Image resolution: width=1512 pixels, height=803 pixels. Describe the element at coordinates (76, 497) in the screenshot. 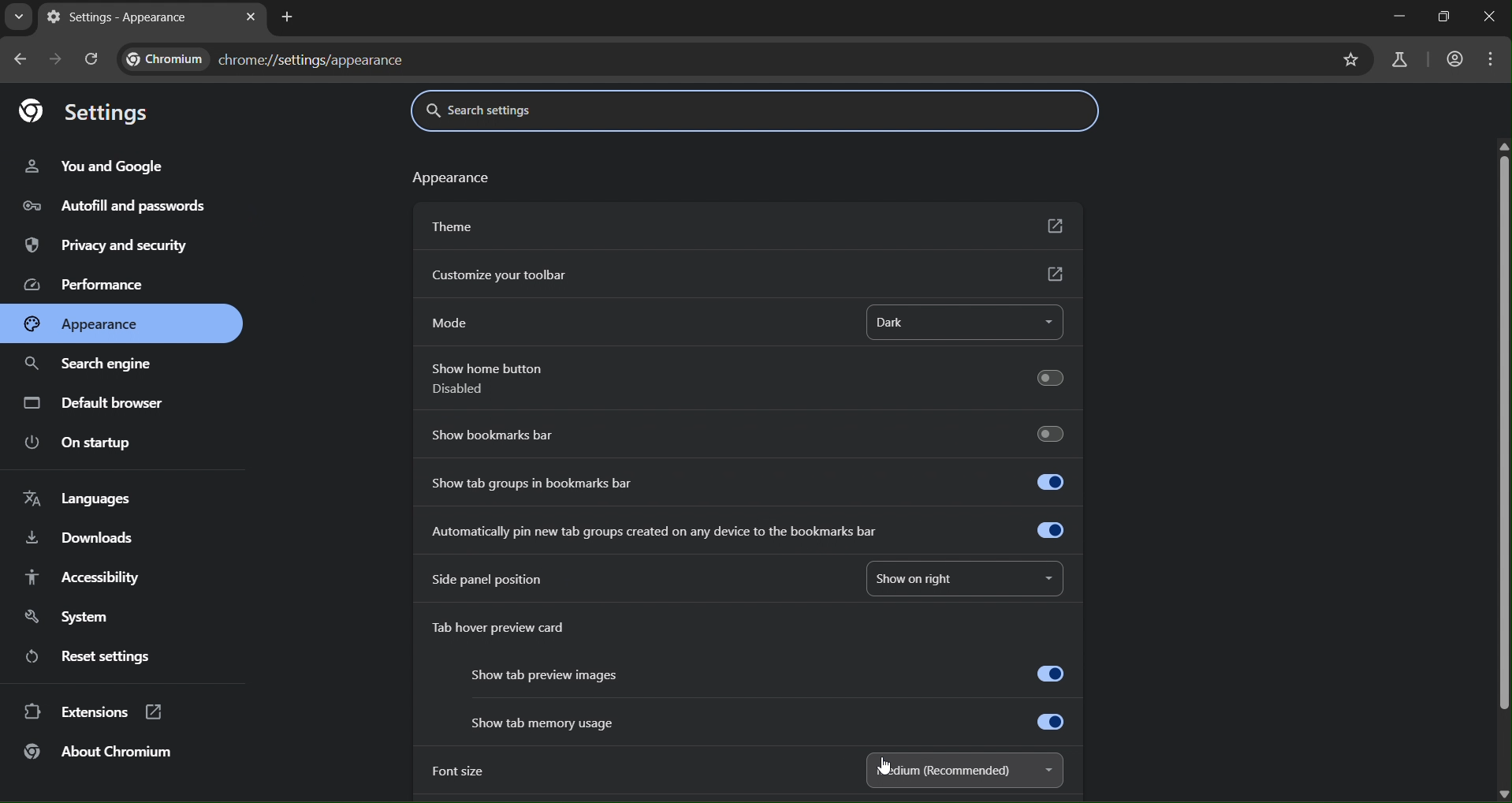

I see `languages` at that location.